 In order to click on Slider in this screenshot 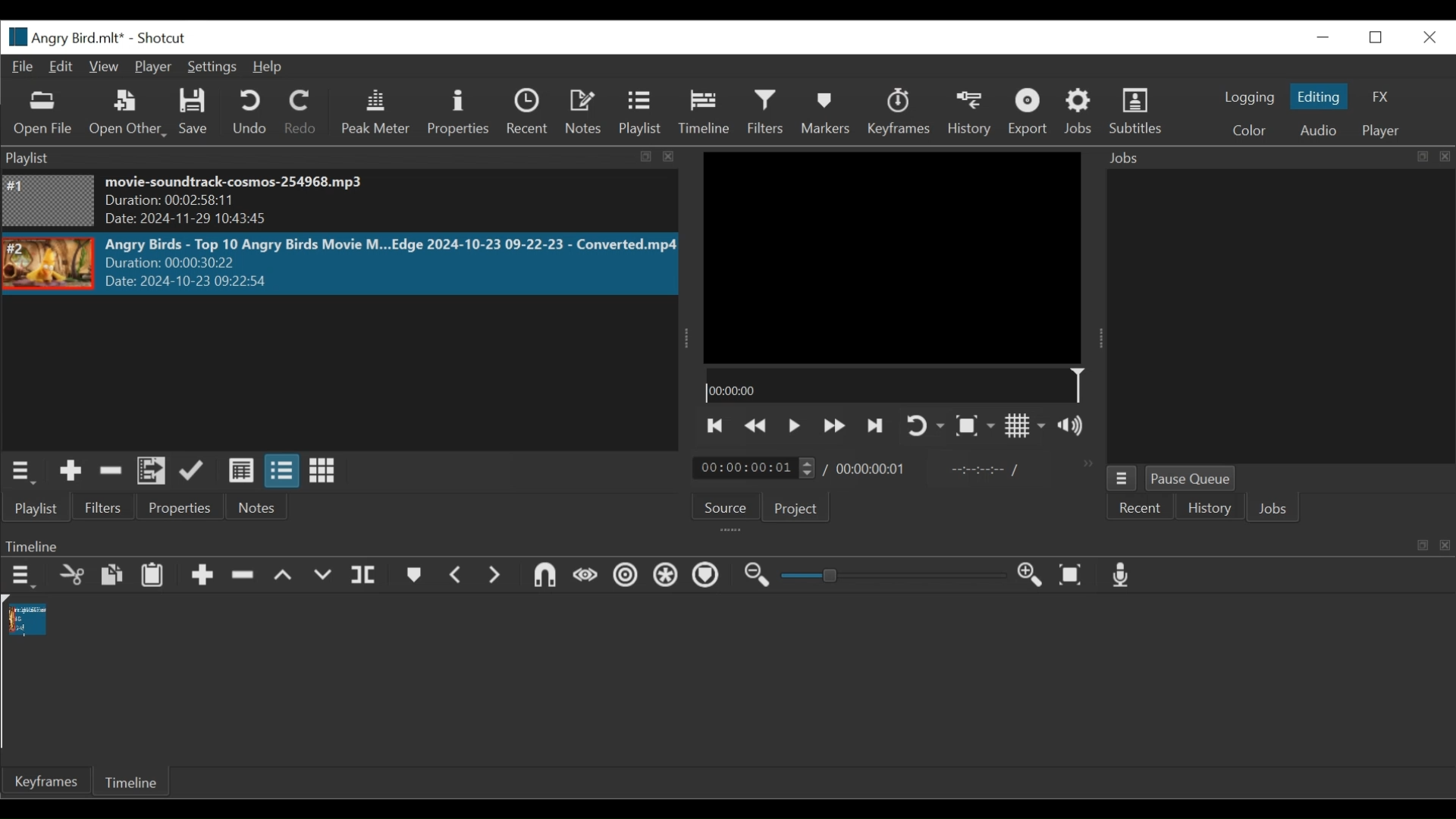, I will do `click(894, 577)`.